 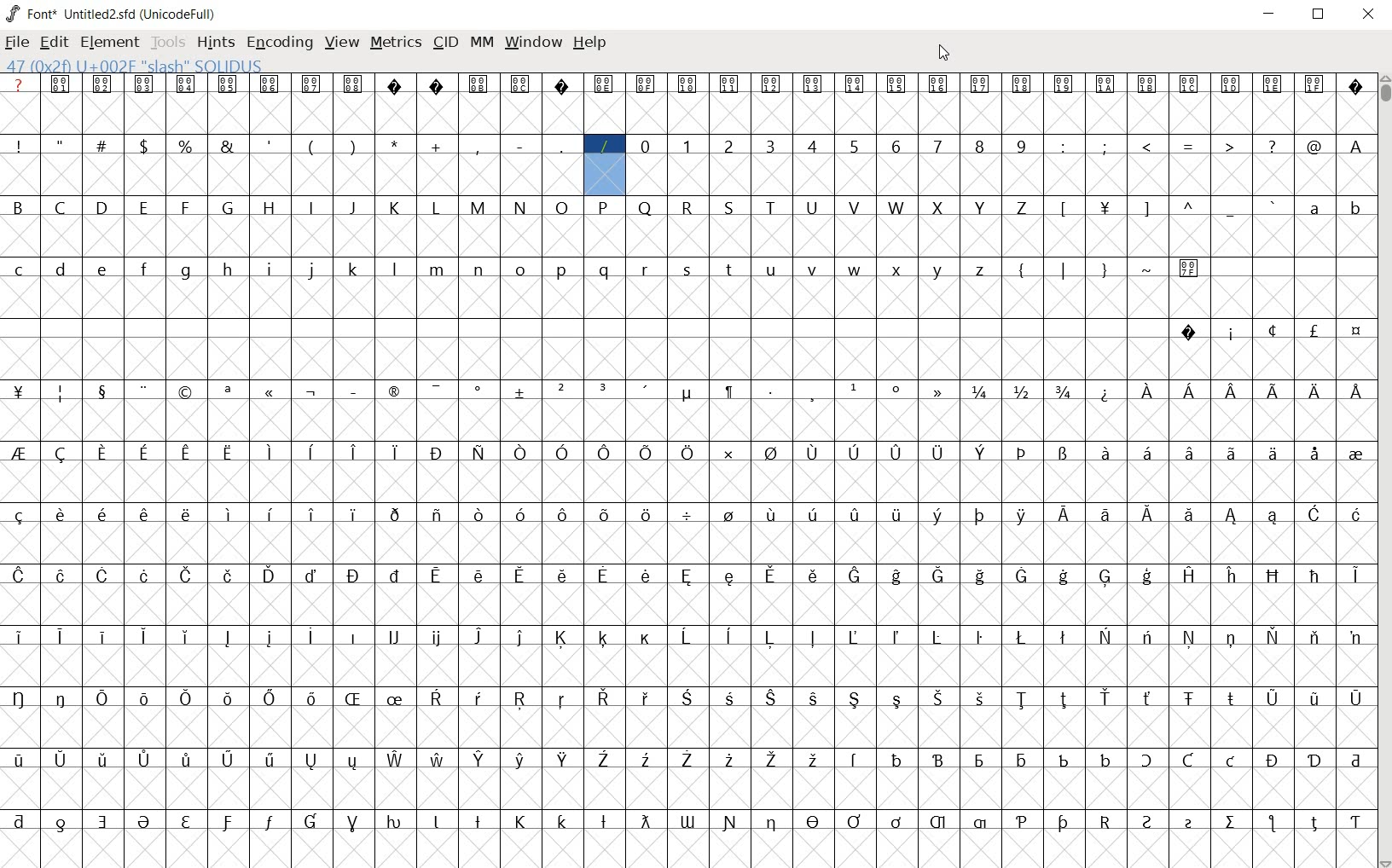 What do you see at coordinates (812, 637) in the screenshot?
I see `glyph` at bounding box center [812, 637].